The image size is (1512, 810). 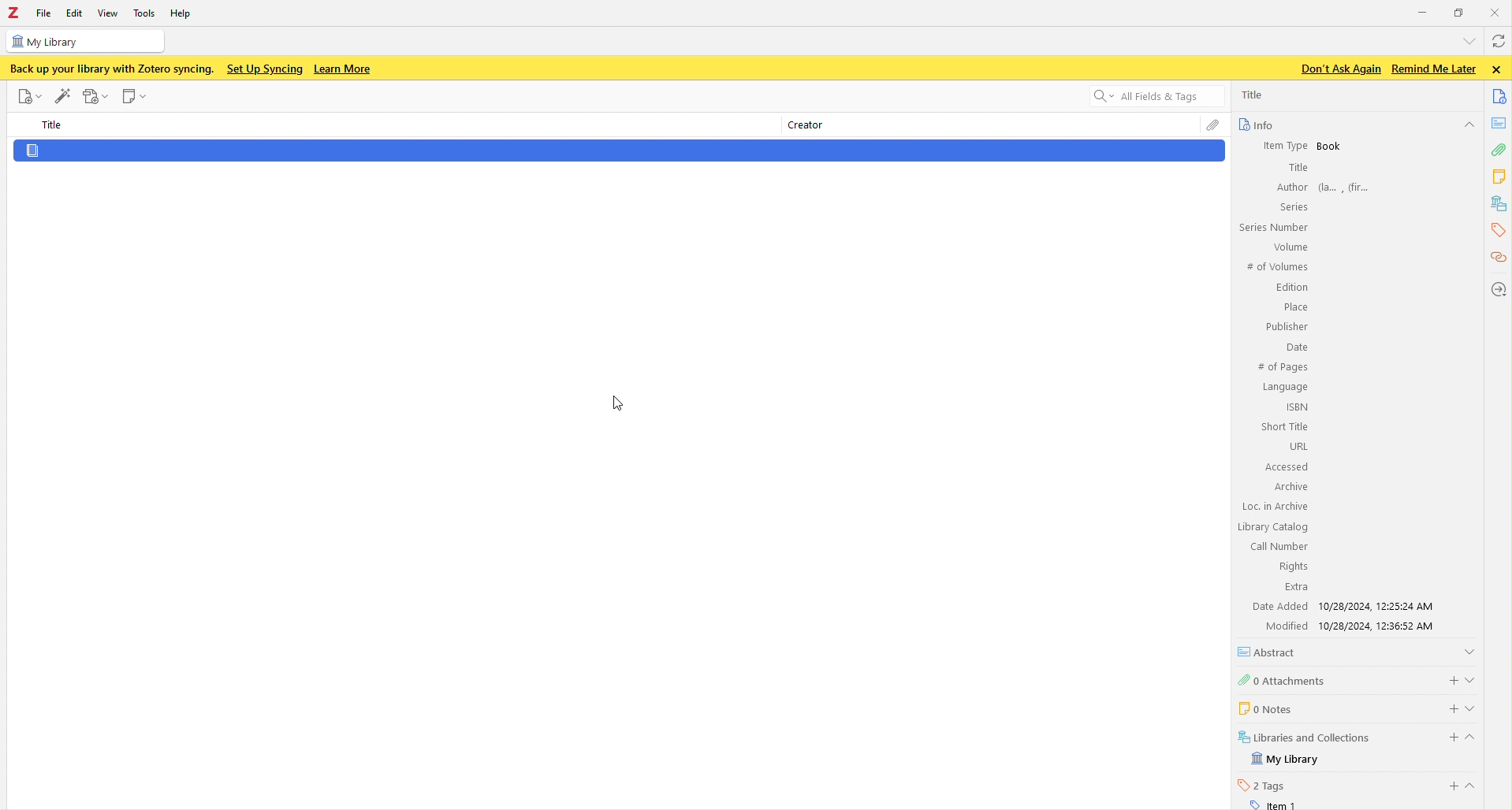 What do you see at coordinates (1280, 626) in the screenshot?
I see `‘Modified` at bounding box center [1280, 626].